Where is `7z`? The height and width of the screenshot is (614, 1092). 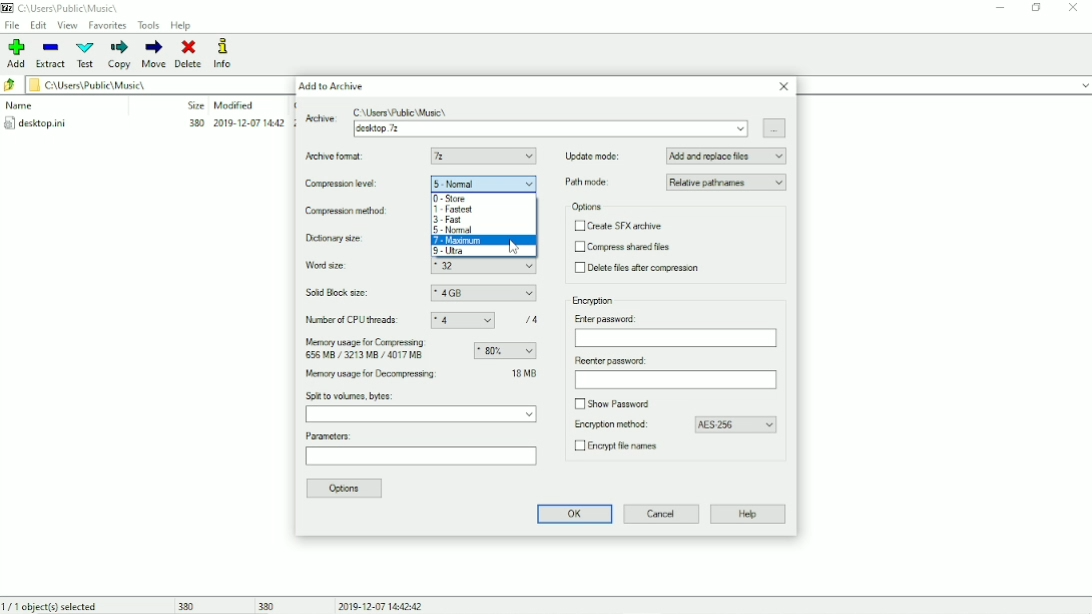 7z is located at coordinates (484, 156).